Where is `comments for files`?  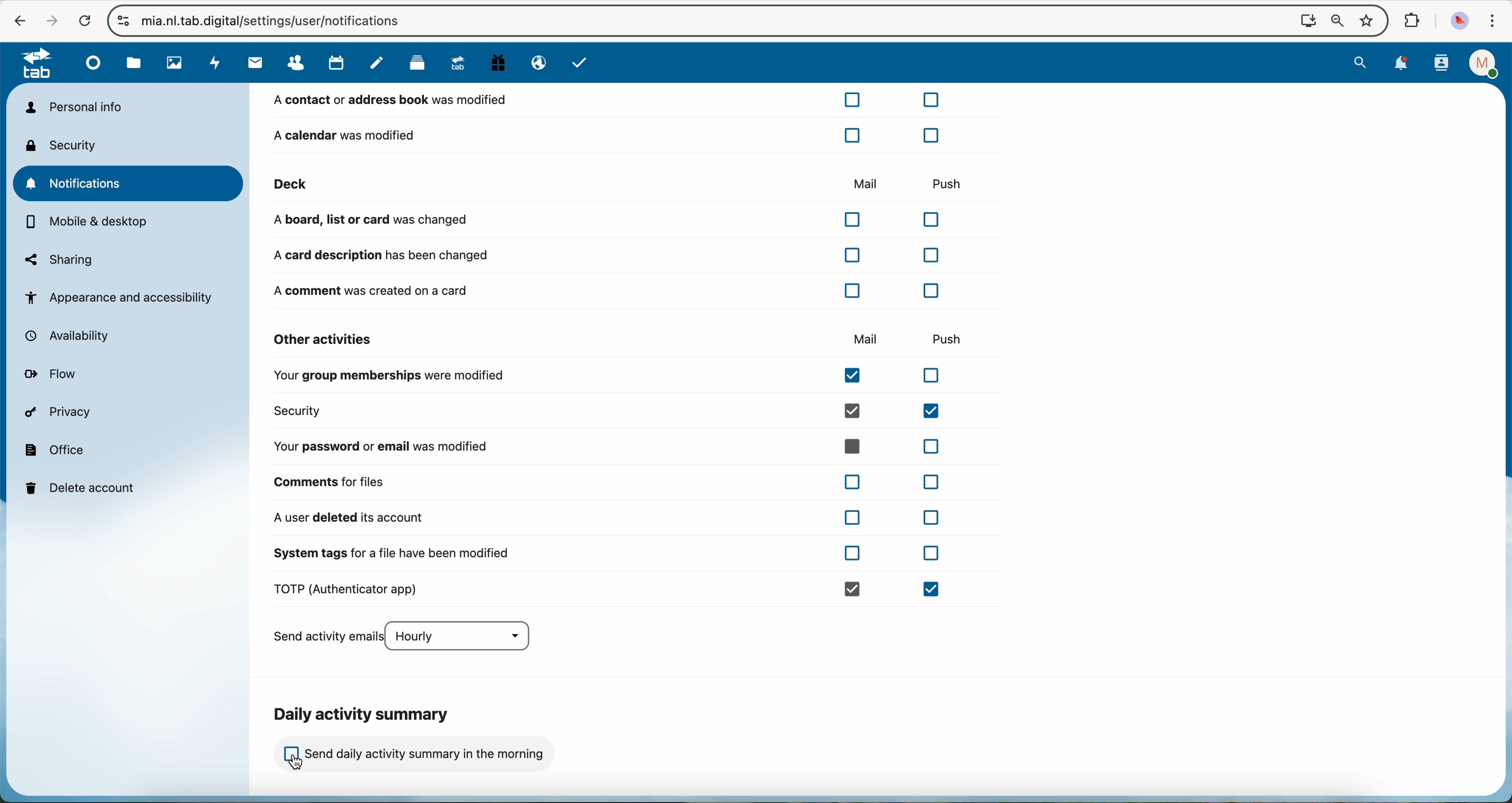
comments for files is located at coordinates (612, 481).